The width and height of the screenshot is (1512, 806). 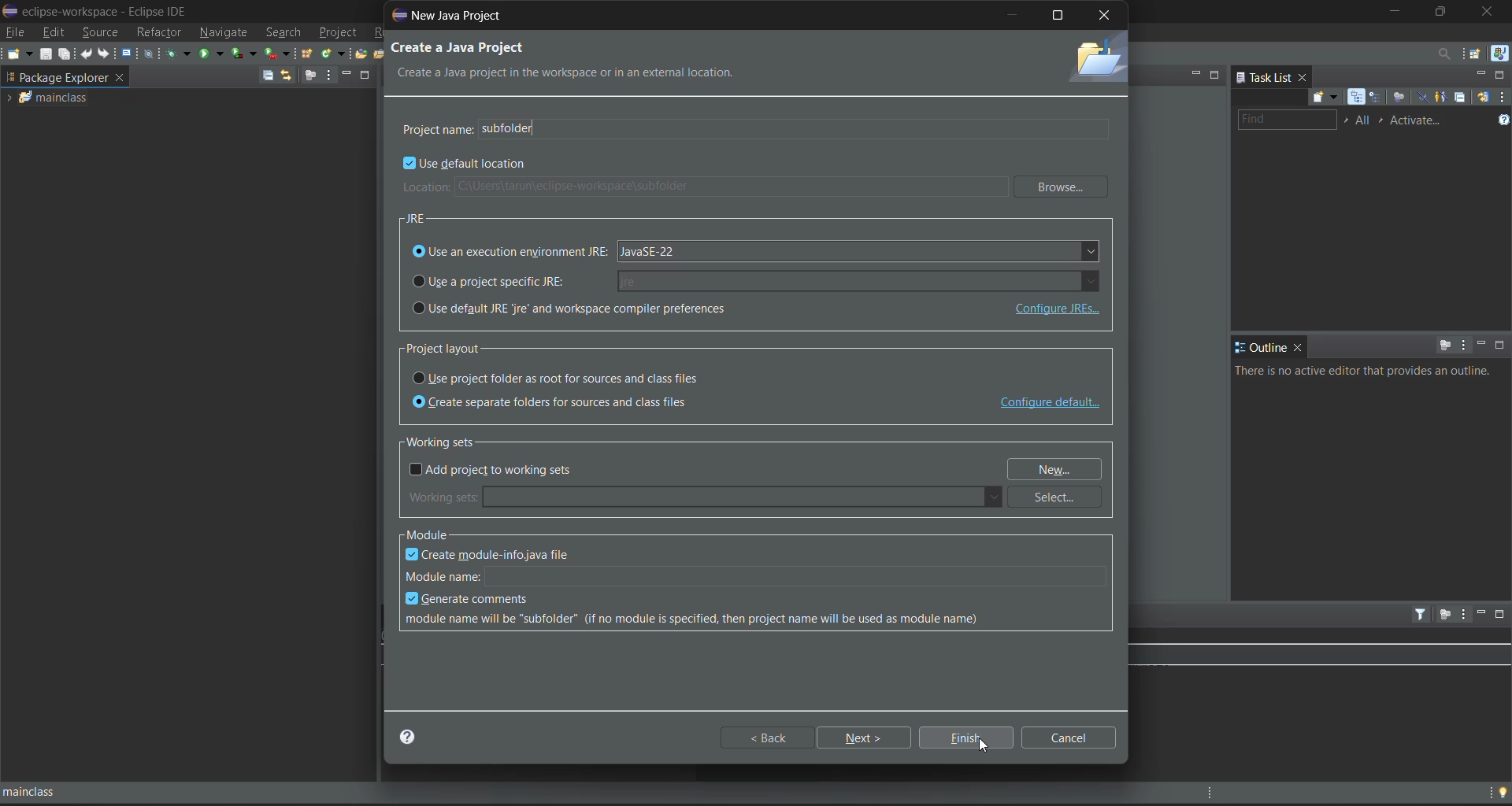 I want to click on synchronize changed, so click(x=1482, y=99).